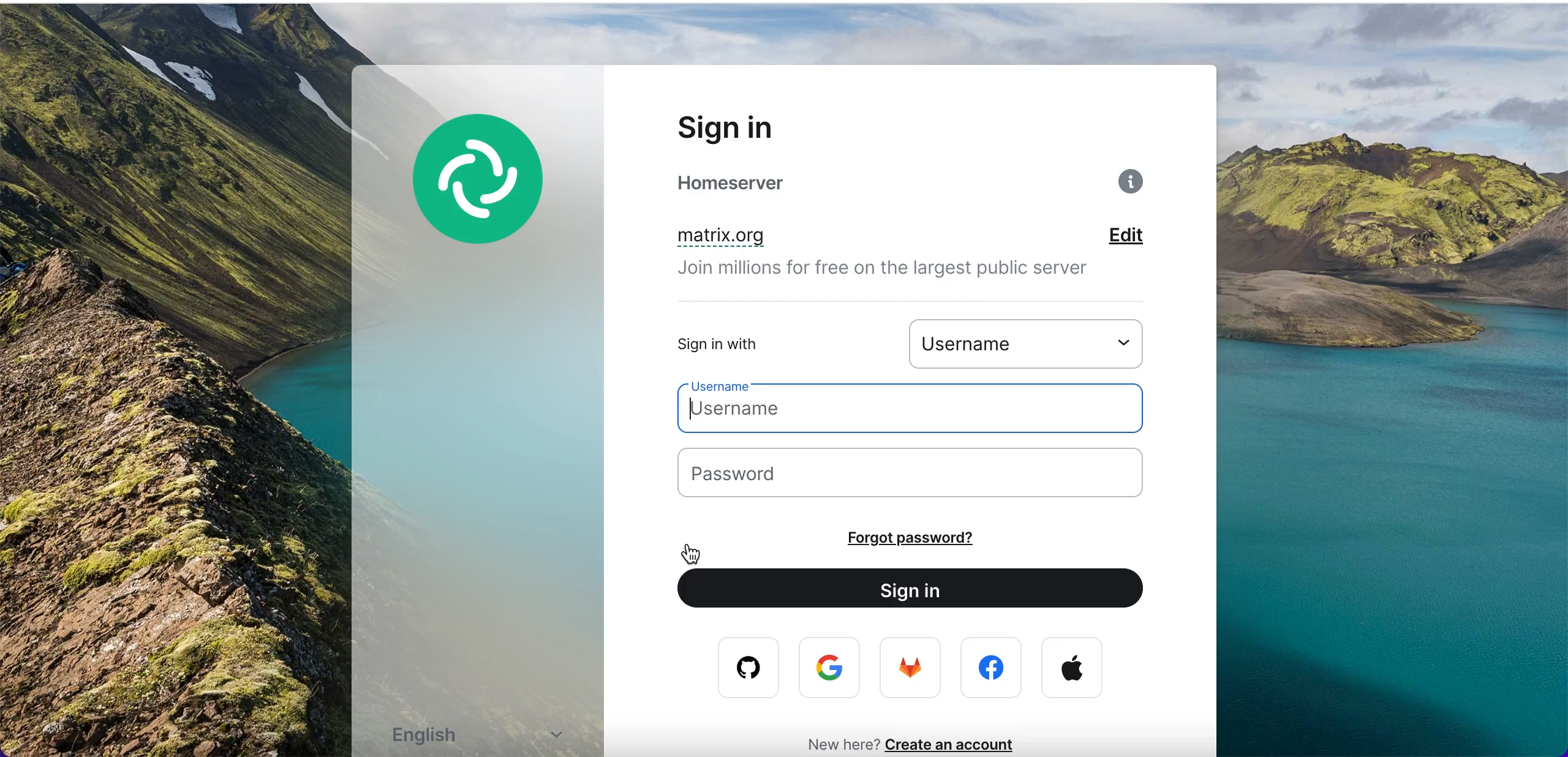  Describe the element at coordinates (1134, 186) in the screenshot. I see `info` at that location.